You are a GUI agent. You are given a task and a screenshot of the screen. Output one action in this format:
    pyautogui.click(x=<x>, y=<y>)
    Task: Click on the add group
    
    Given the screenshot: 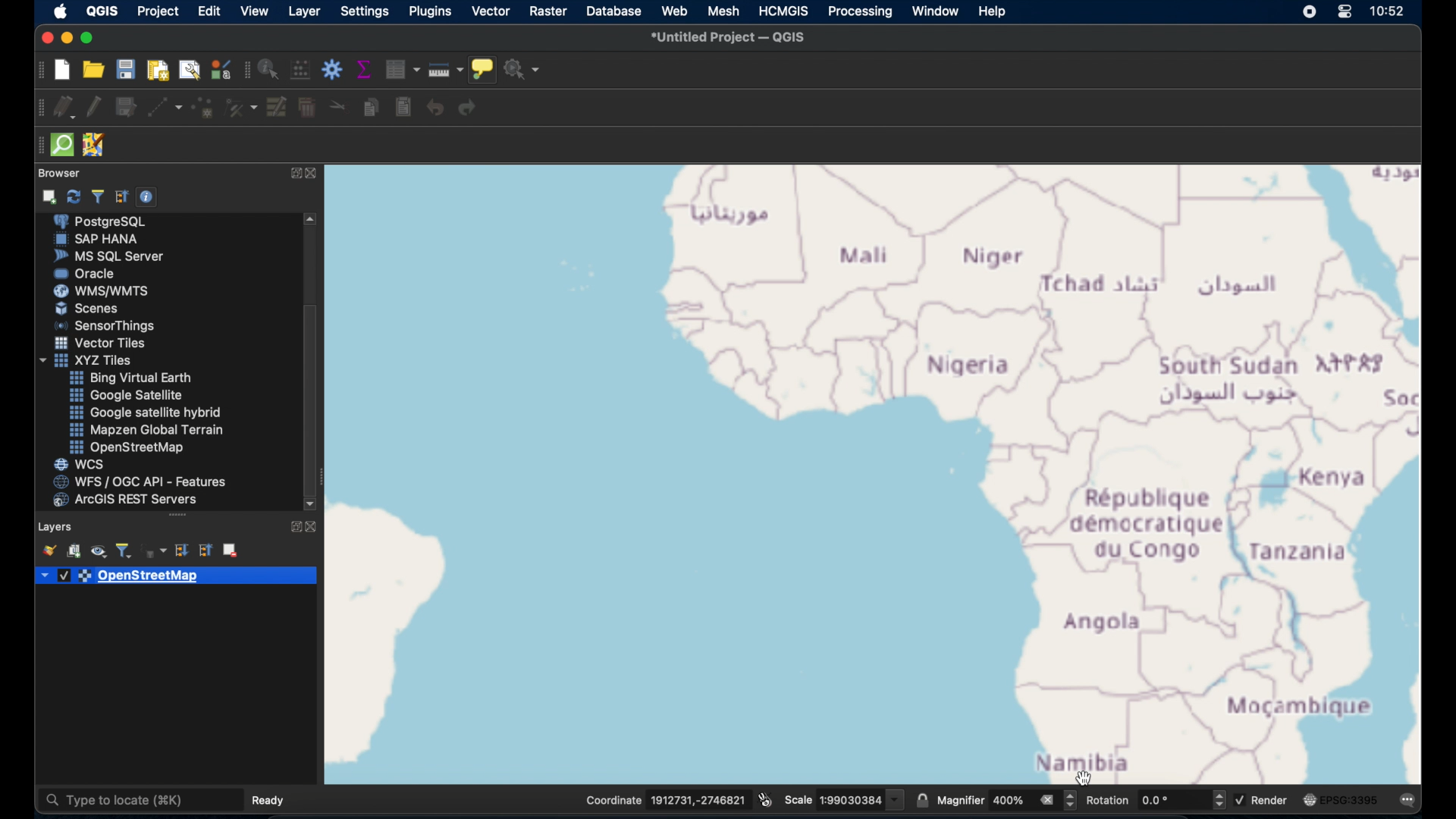 What is the action you would take?
    pyautogui.click(x=74, y=551)
    